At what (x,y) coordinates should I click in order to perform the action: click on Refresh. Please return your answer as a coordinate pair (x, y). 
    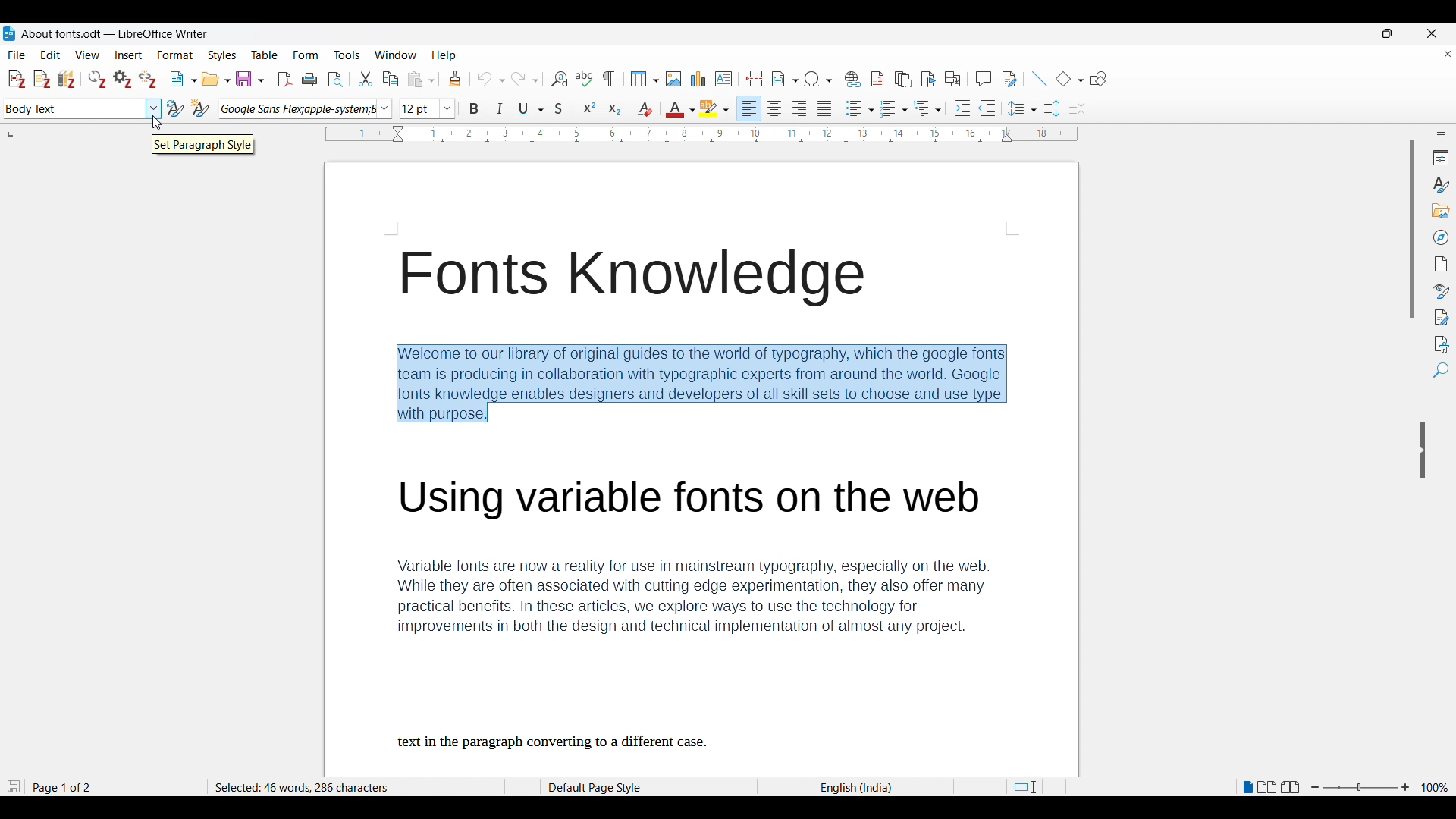
    Looking at the image, I should click on (97, 79).